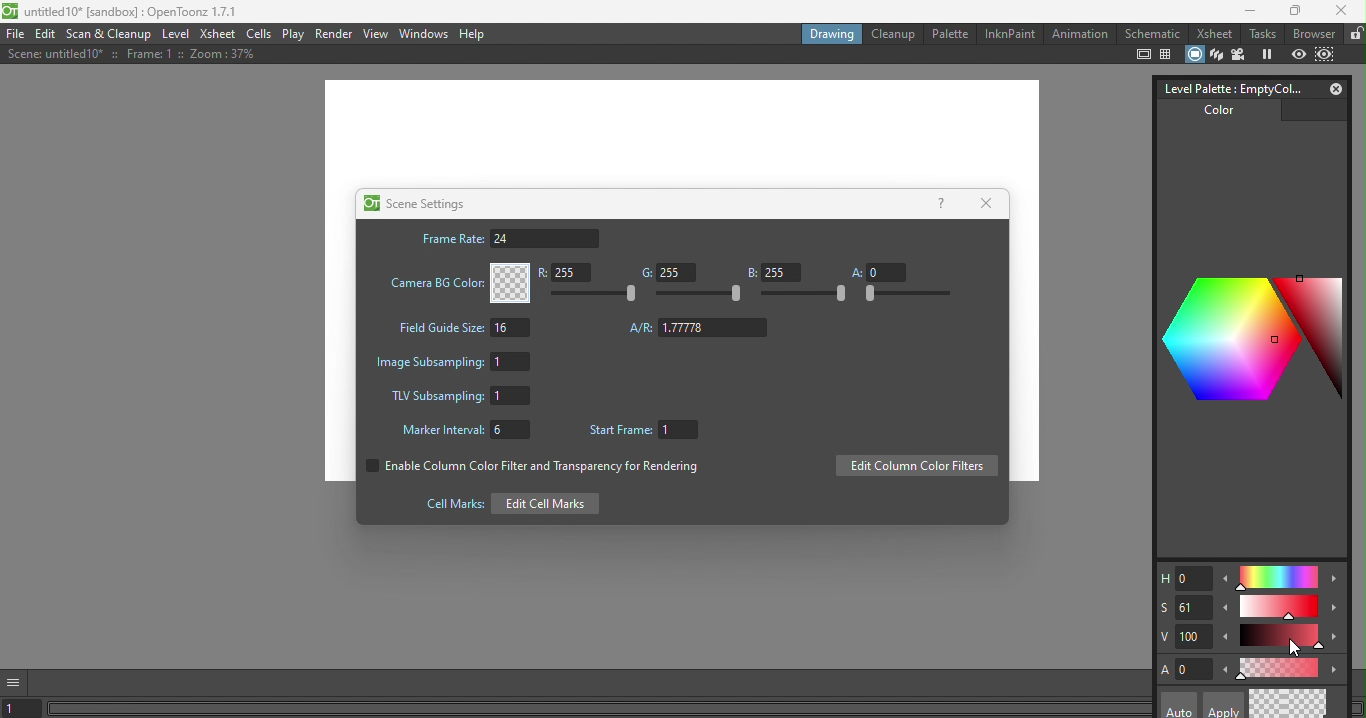 The height and width of the screenshot is (718, 1366). I want to click on File name, so click(124, 13).